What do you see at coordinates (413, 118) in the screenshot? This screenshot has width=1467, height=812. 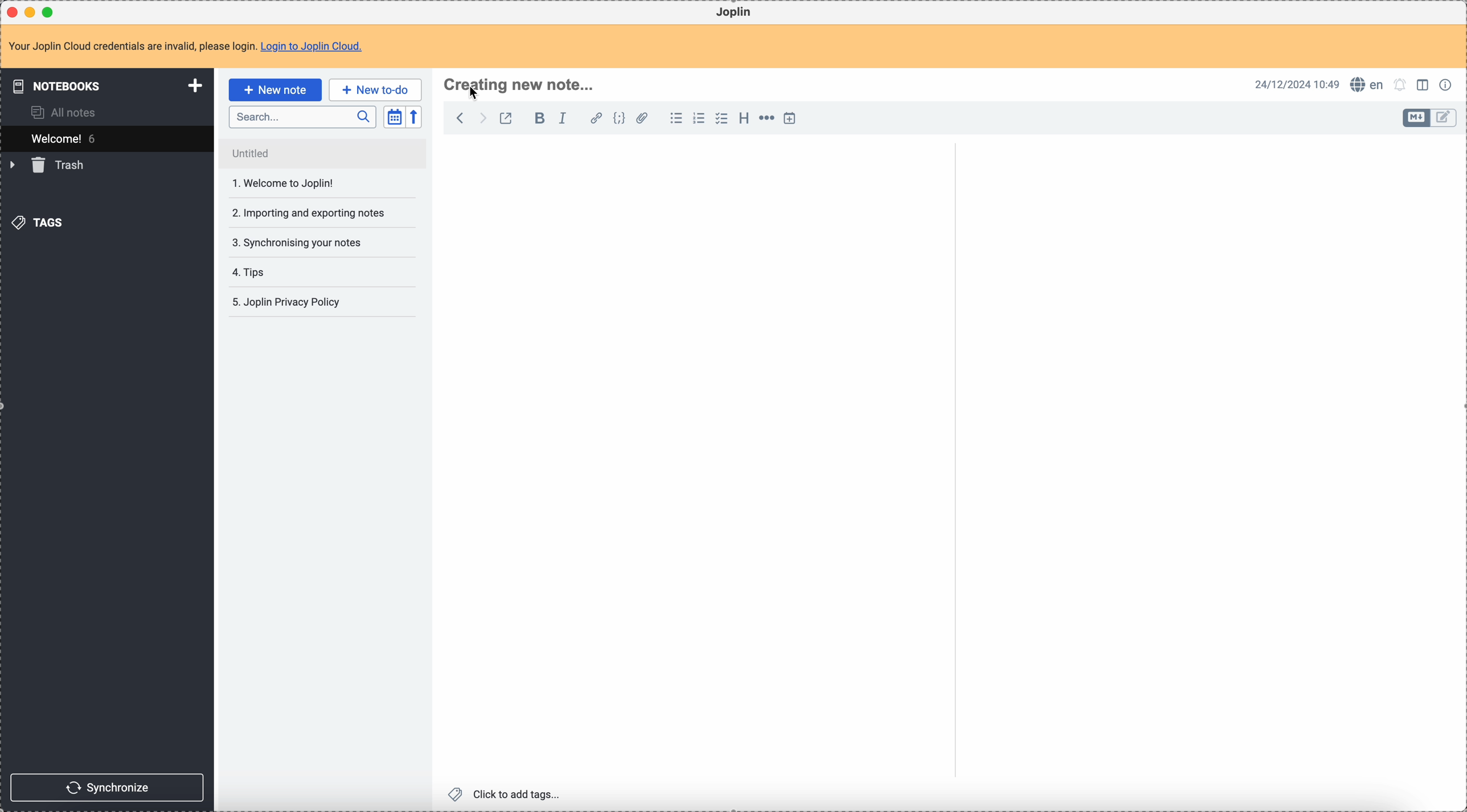 I see `reverse sort order` at bounding box center [413, 118].